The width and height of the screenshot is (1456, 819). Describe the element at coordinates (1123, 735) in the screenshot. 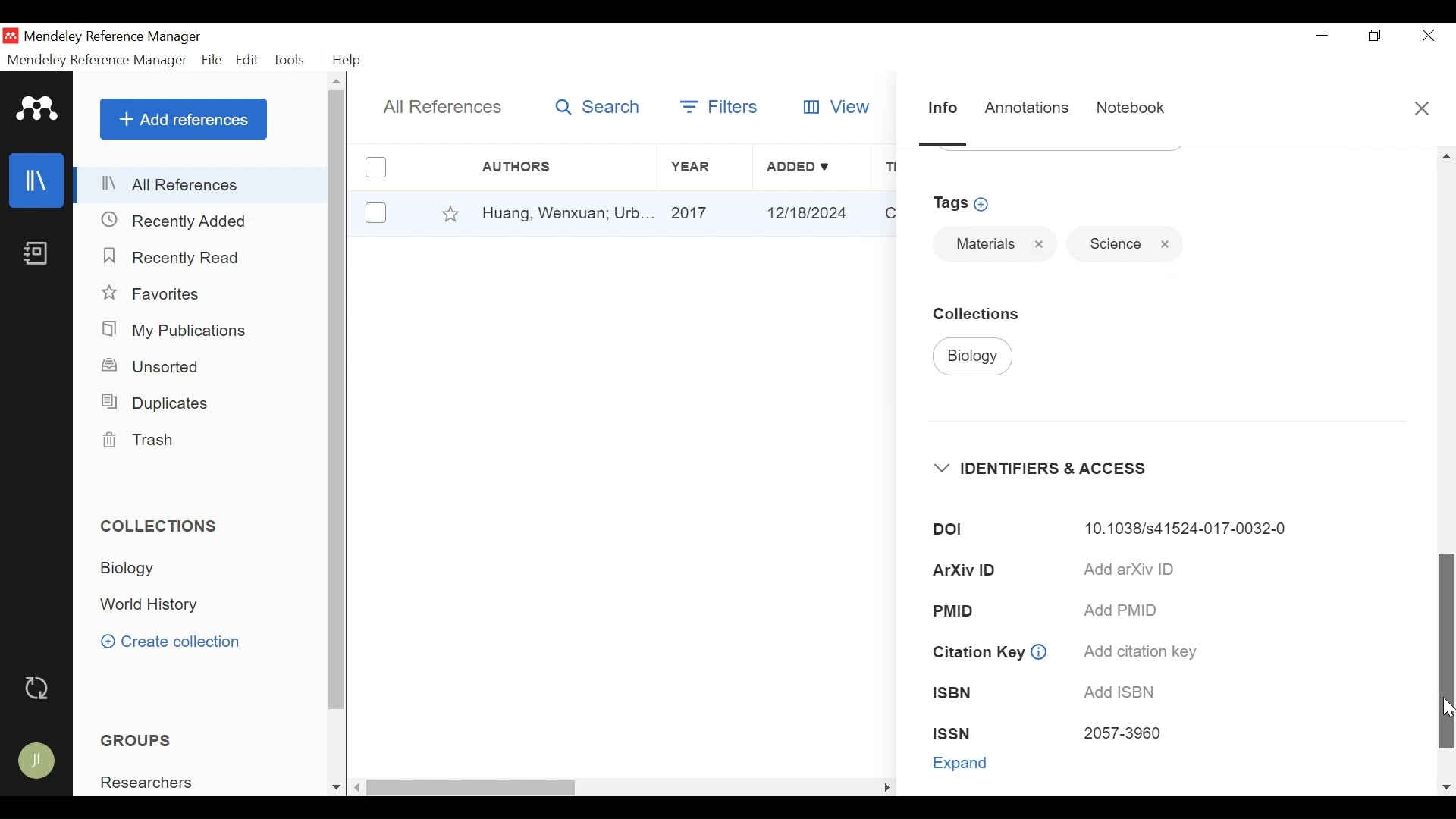

I see `2057-3960` at that location.